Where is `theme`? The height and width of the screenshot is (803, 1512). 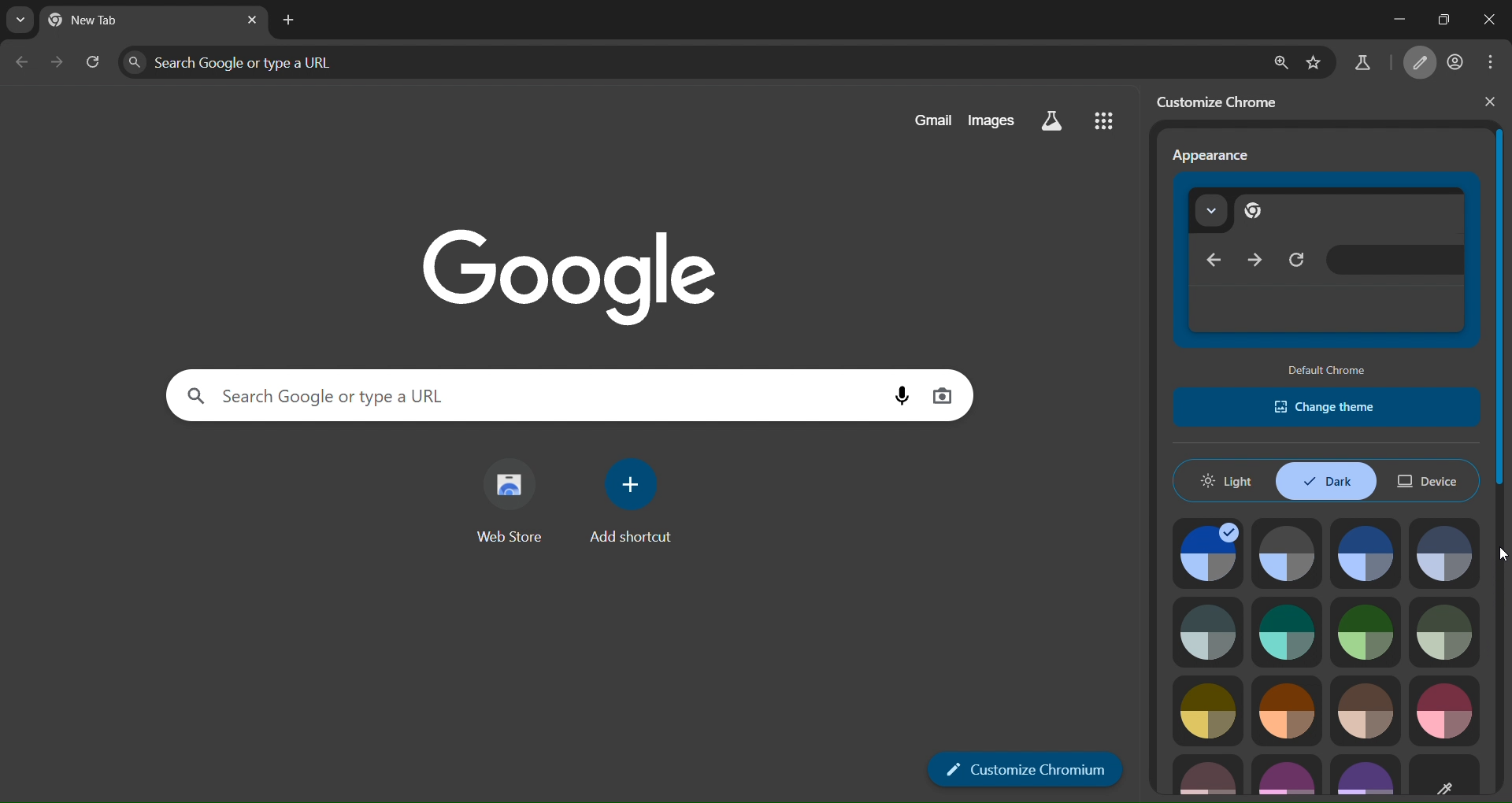
theme is located at coordinates (1286, 630).